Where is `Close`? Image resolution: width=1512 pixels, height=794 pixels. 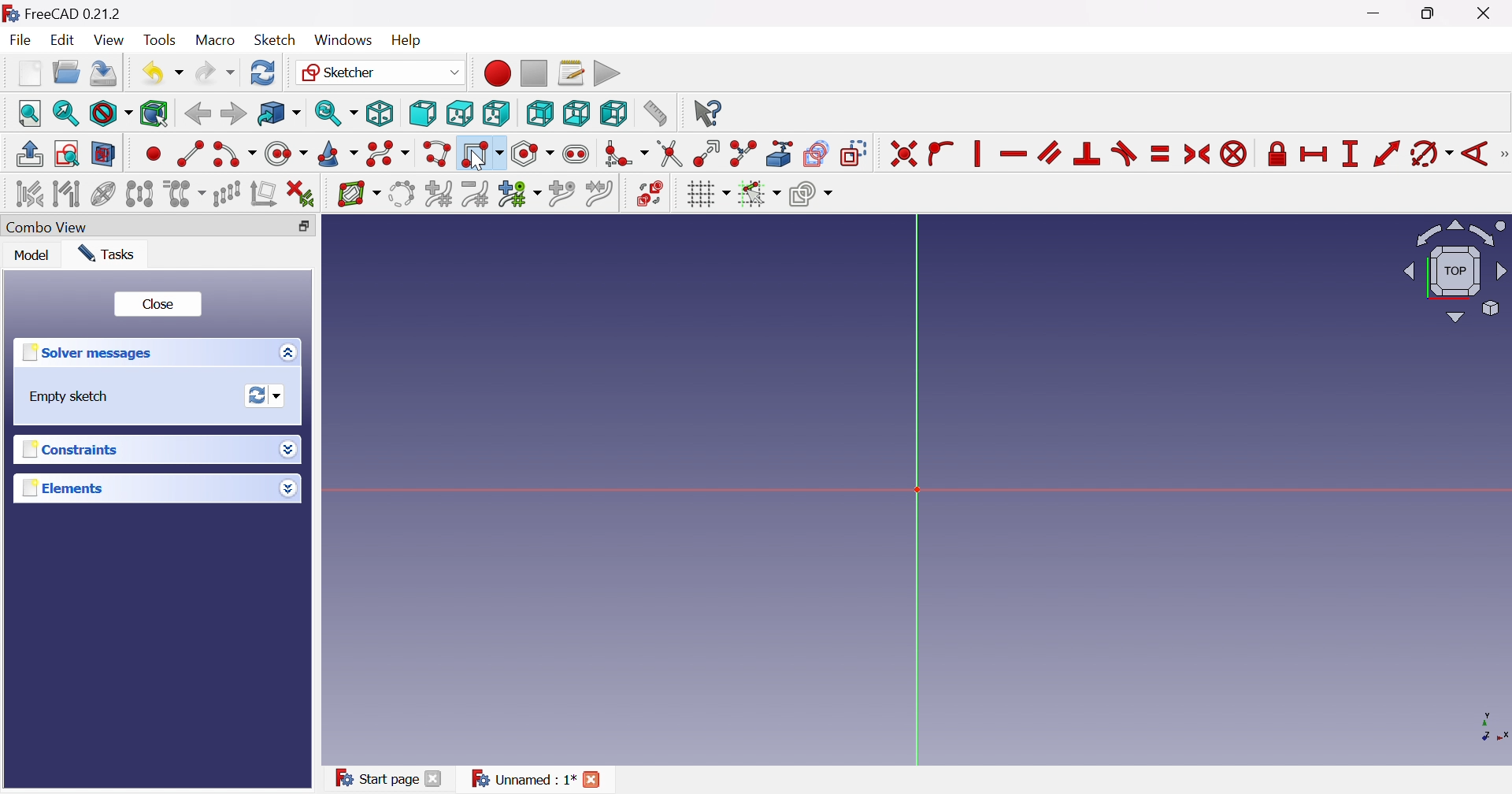 Close is located at coordinates (598, 777).